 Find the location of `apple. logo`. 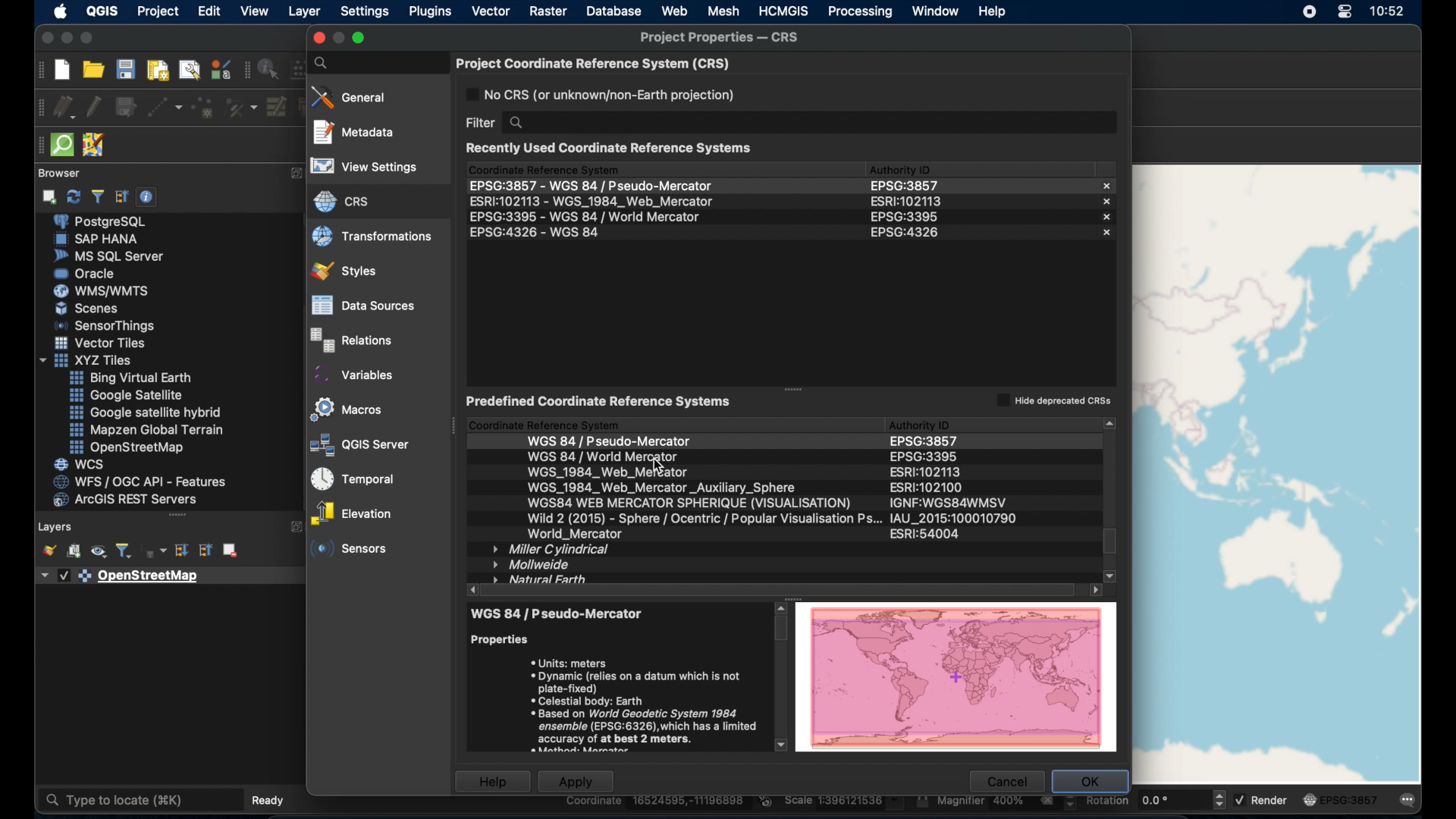

apple. logo is located at coordinates (60, 11).